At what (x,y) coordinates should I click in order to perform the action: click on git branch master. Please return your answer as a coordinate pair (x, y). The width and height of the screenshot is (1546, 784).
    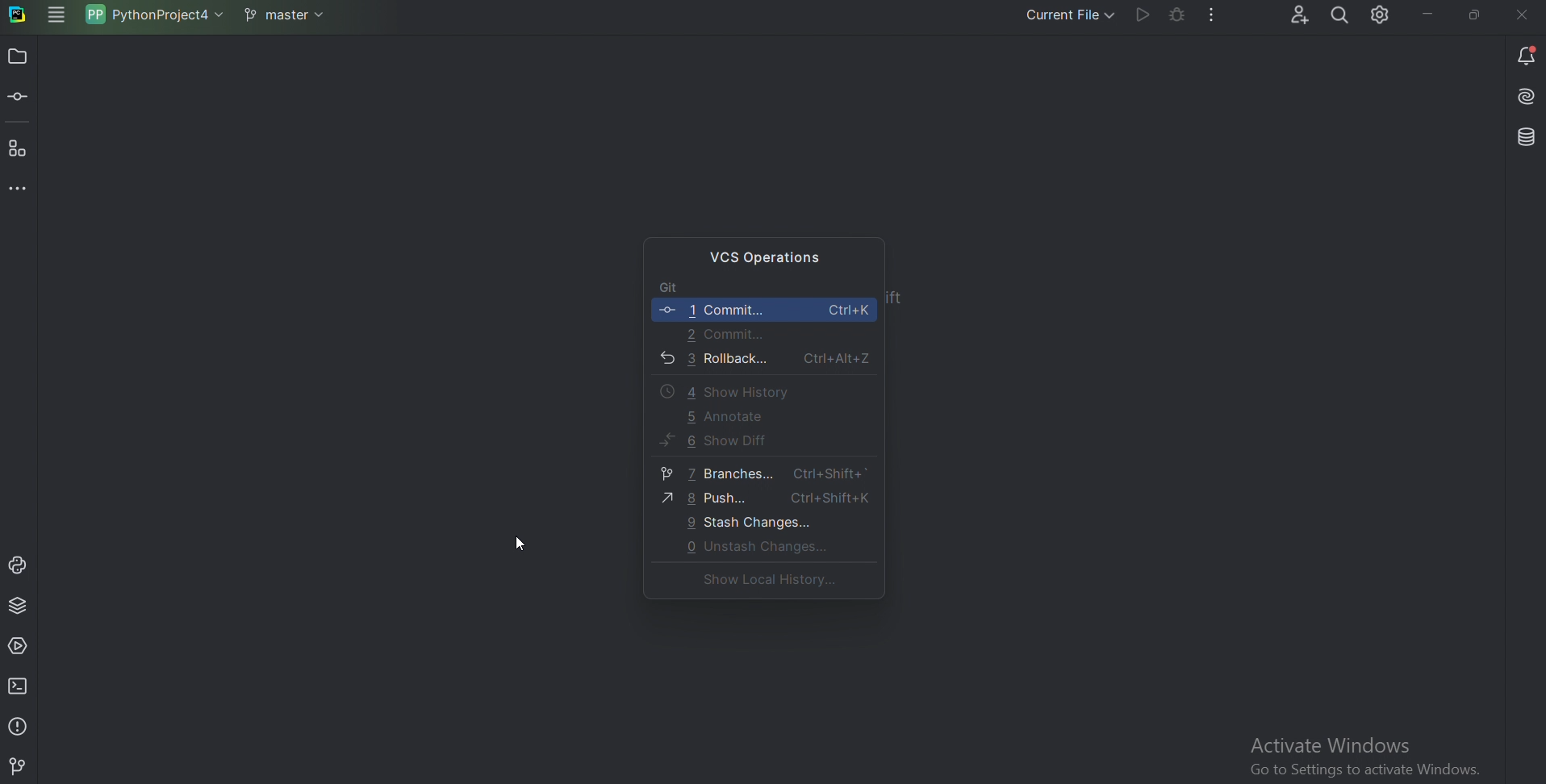
    Looking at the image, I should click on (282, 16).